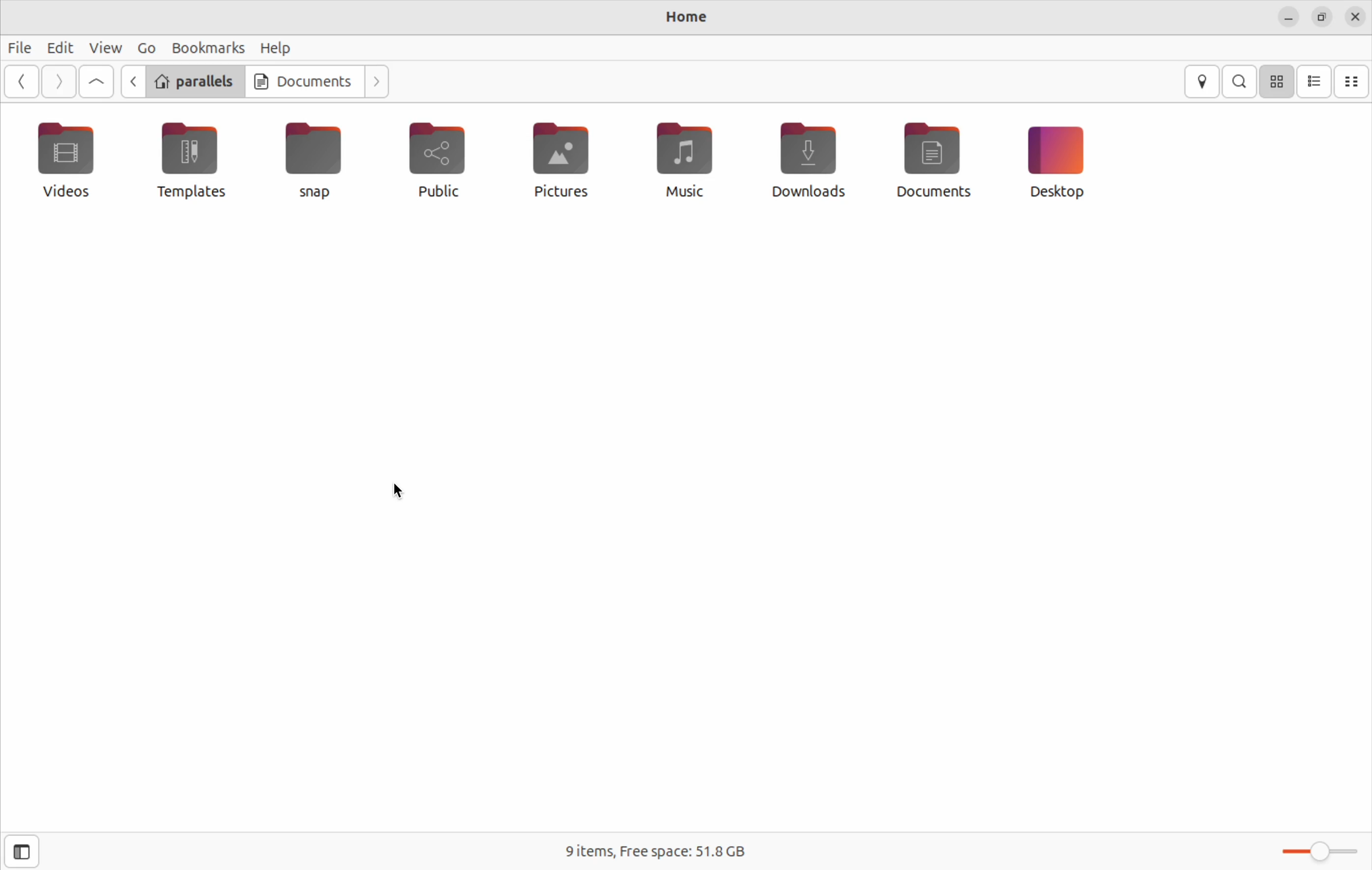 The image size is (1372, 870). Describe the element at coordinates (1204, 83) in the screenshot. I see `location` at that location.